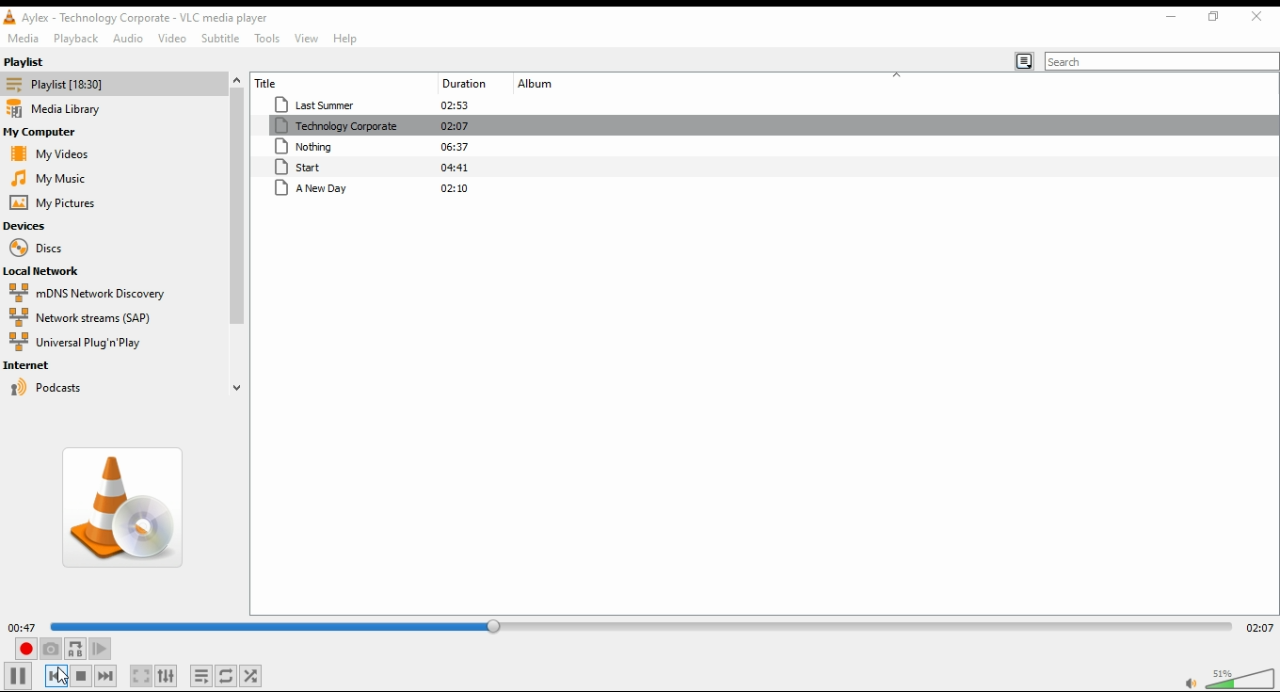 This screenshot has height=692, width=1280. What do you see at coordinates (105, 676) in the screenshot?
I see `next media in the playlist, skip forward when held.` at bounding box center [105, 676].